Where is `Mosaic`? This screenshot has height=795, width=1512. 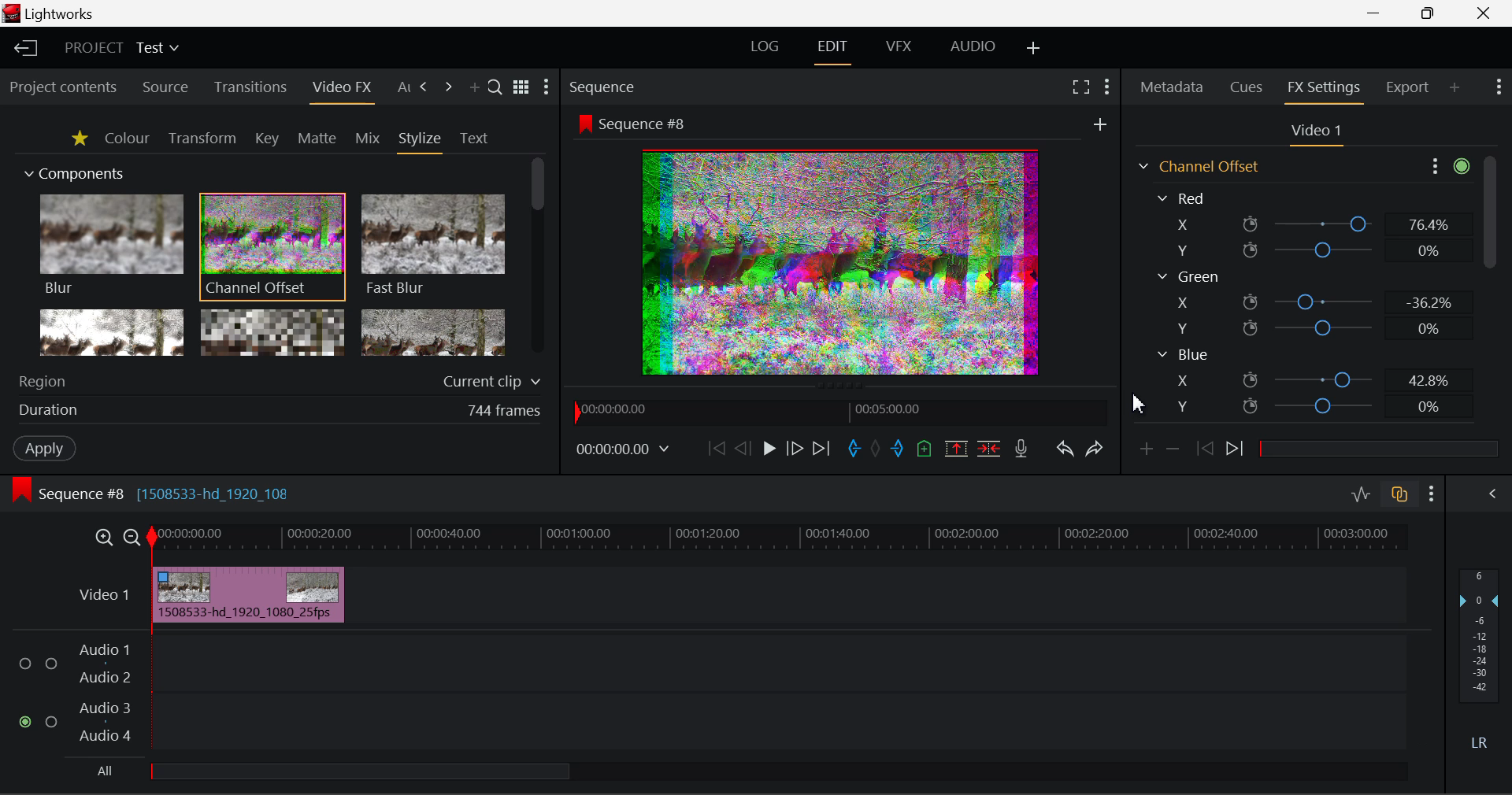
Mosaic is located at coordinates (272, 331).